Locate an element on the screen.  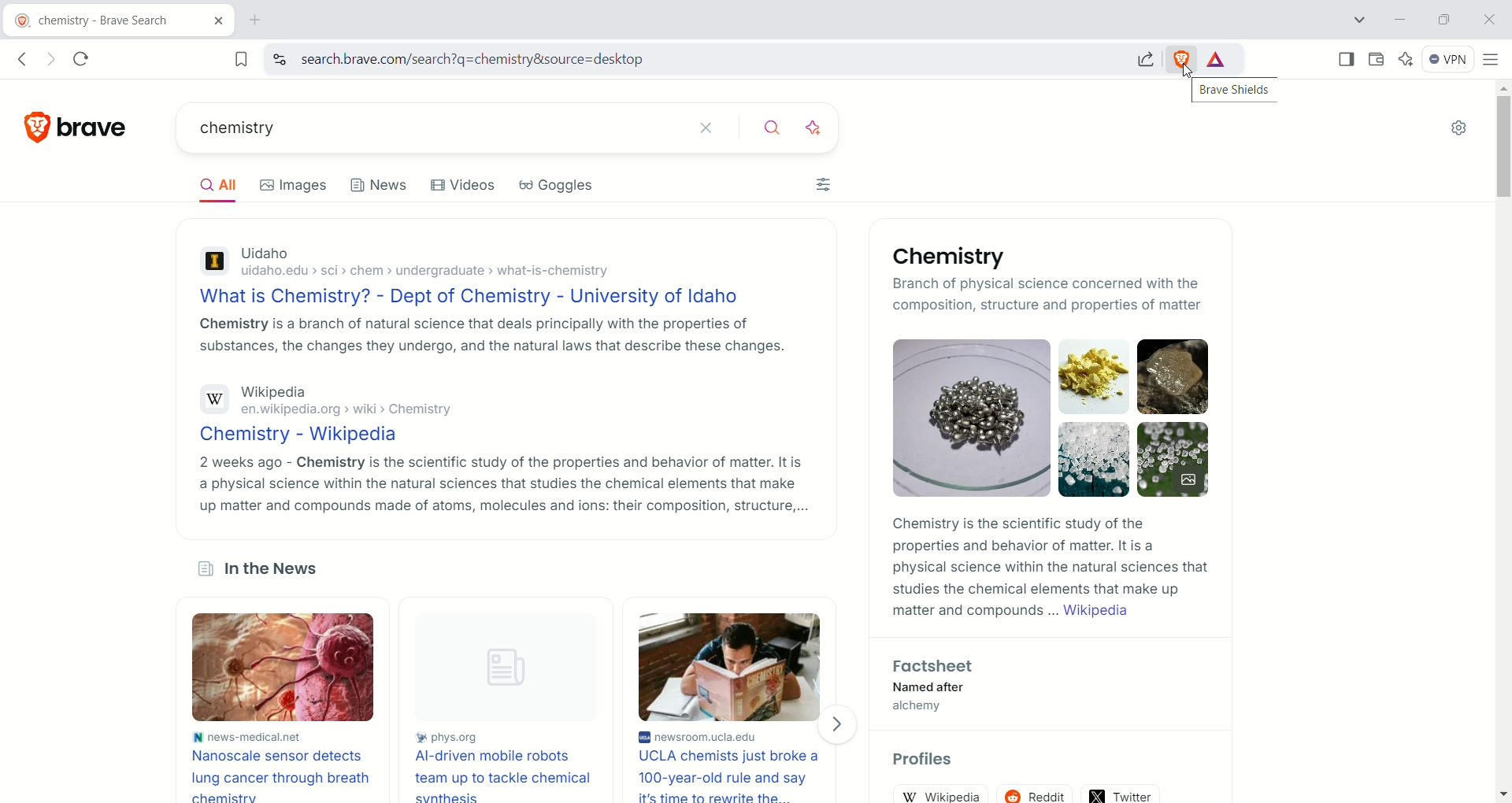
view site information is located at coordinates (279, 59).